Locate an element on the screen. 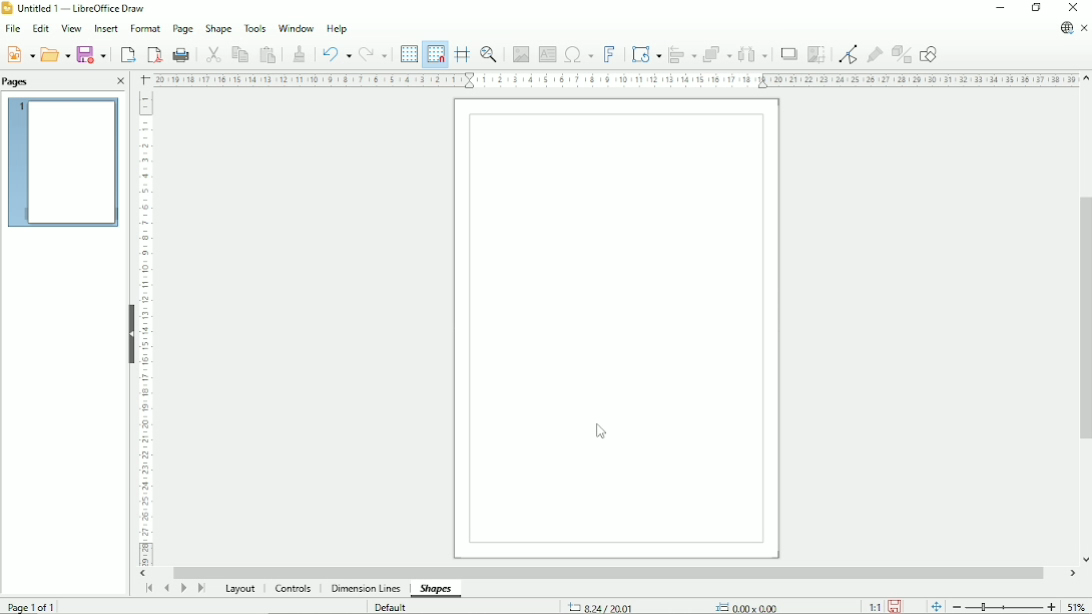 This screenshot has height=614, width=1092. Crop image is located at coordinates (816, 55).